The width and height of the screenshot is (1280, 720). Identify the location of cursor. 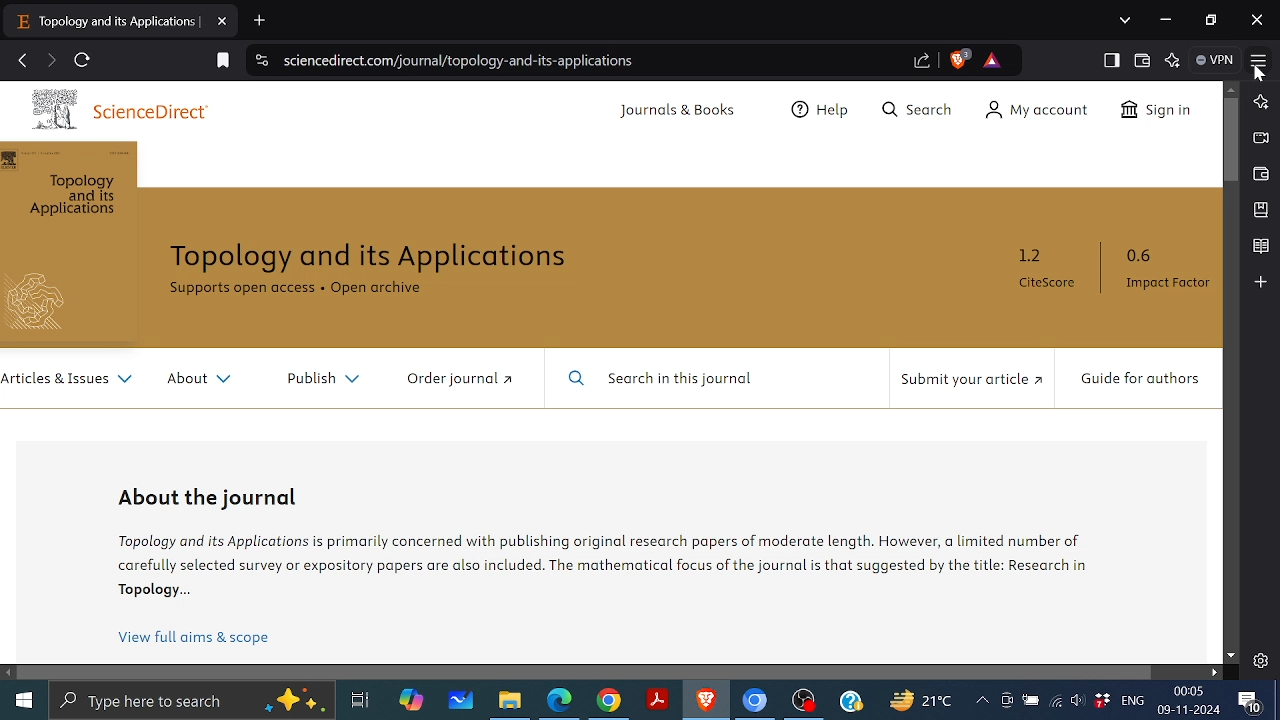
(1261, 77).